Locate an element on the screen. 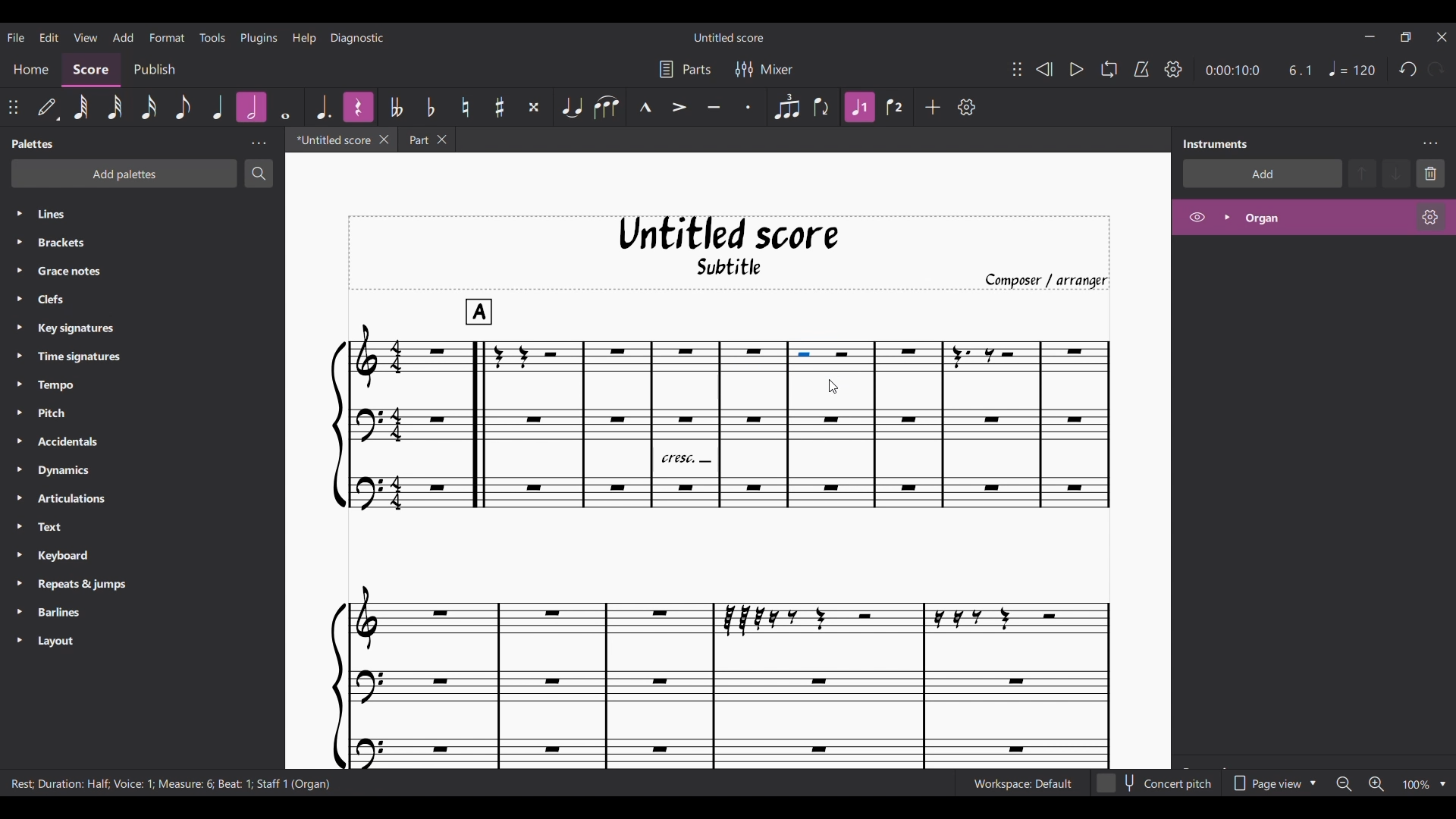 This screenshot has width=1456, height=819. Diagnostic menu is located at coordinates (358, 37).